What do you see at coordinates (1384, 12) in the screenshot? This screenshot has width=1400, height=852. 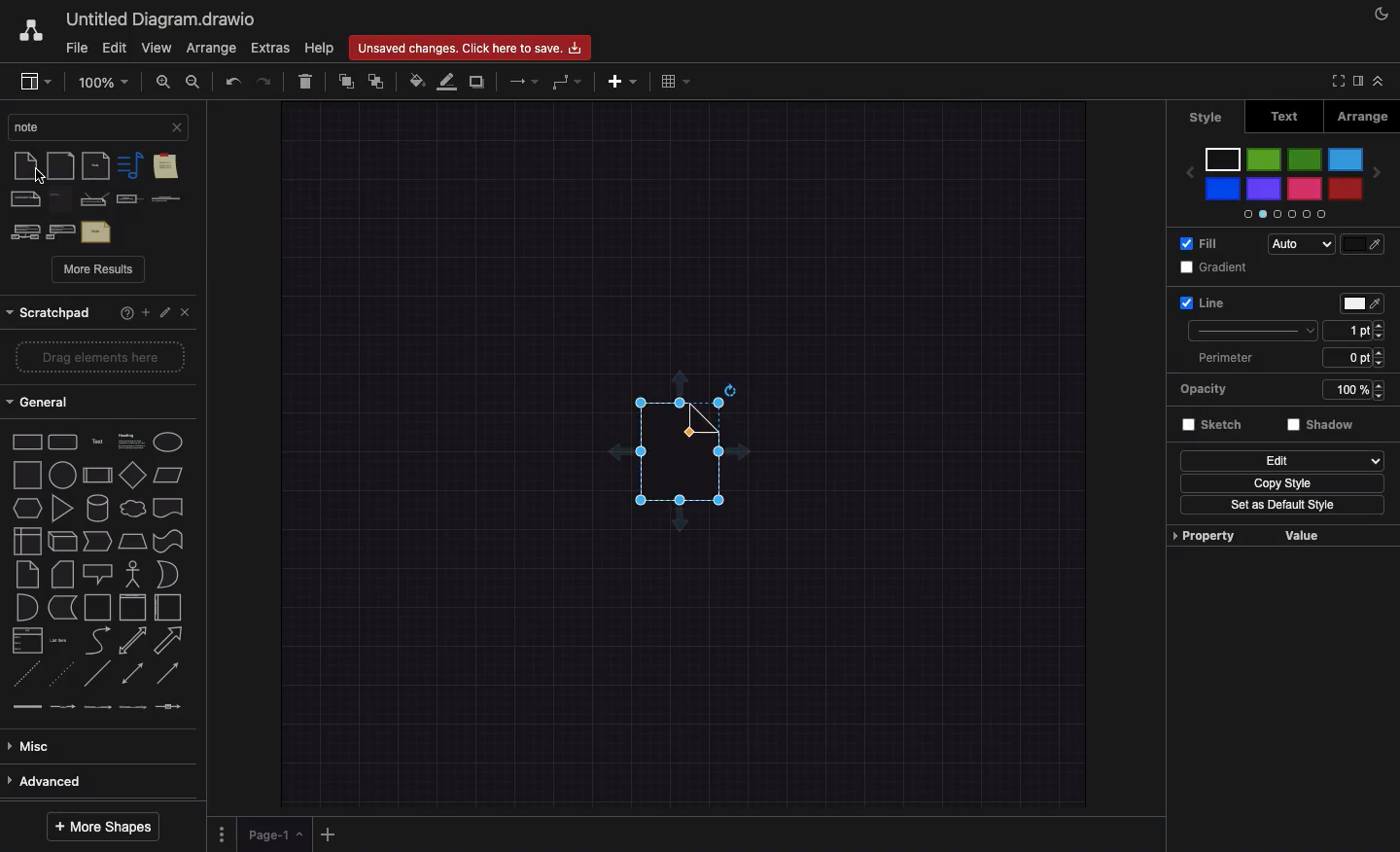 I see `Night mode` at bounding box center [1384, 12].